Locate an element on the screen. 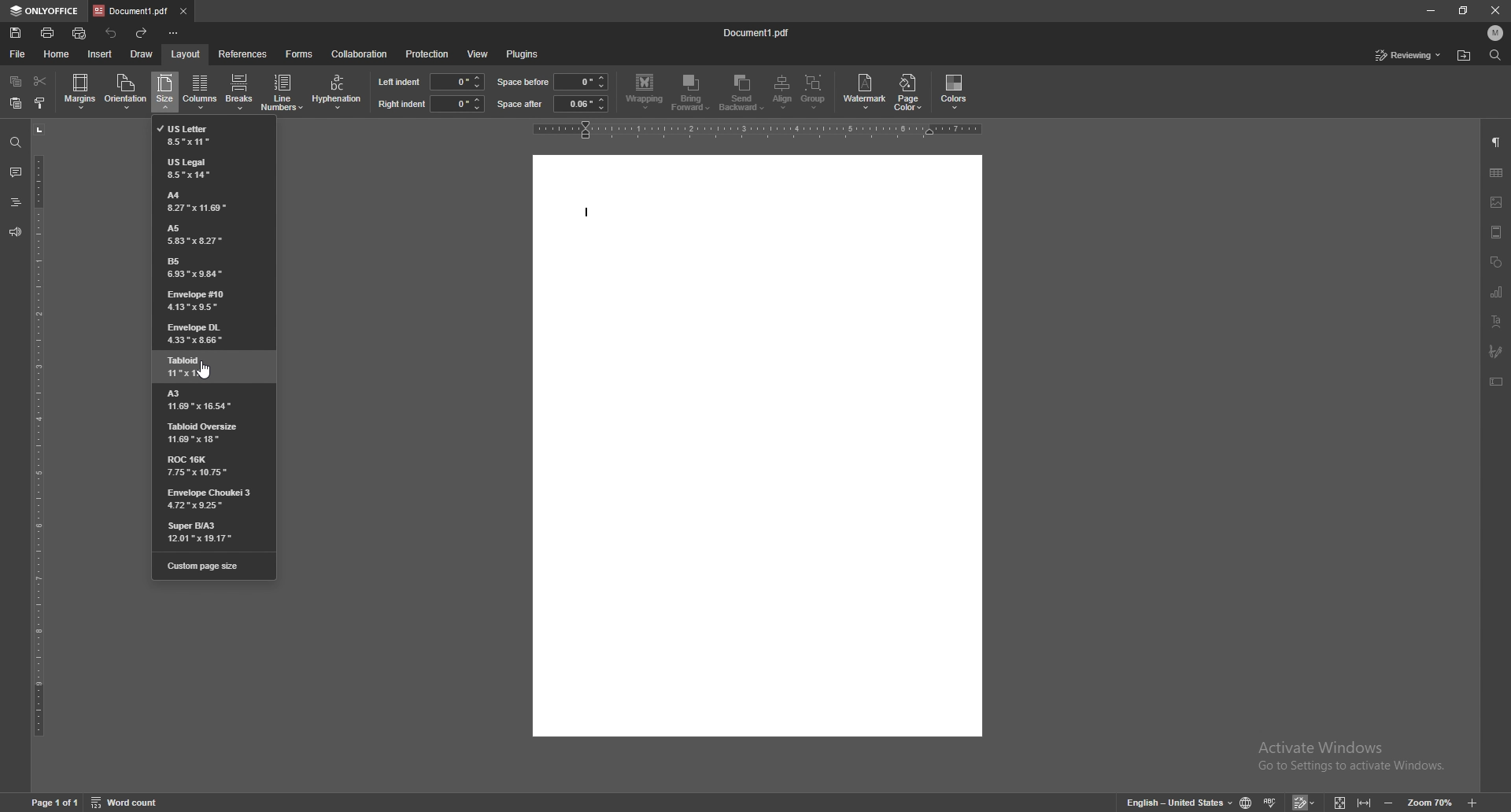 This screenshot has width=1511, height=812. tabloid oversize is located at coordinates (213, 433).